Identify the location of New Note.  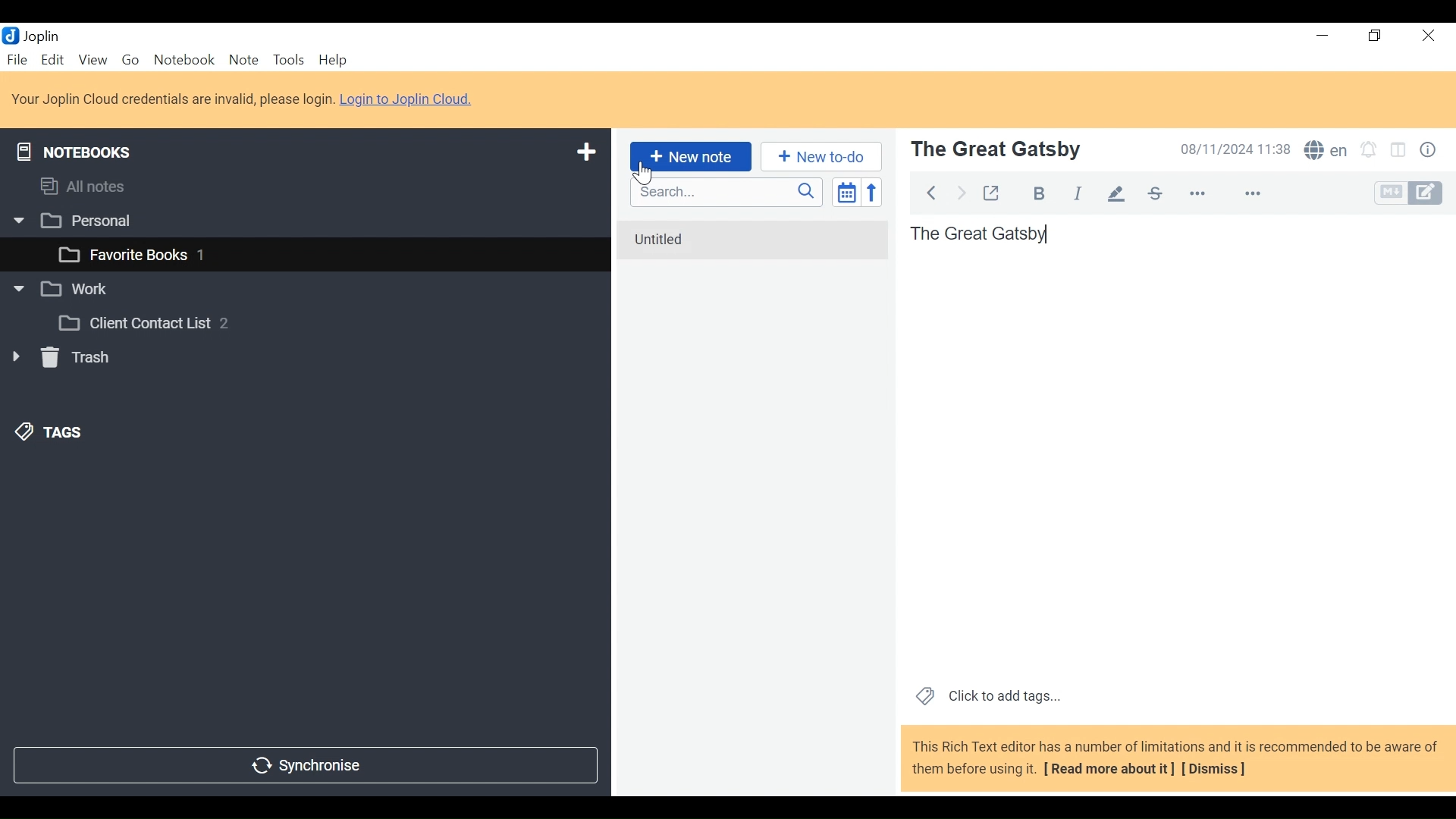
(691, 156).